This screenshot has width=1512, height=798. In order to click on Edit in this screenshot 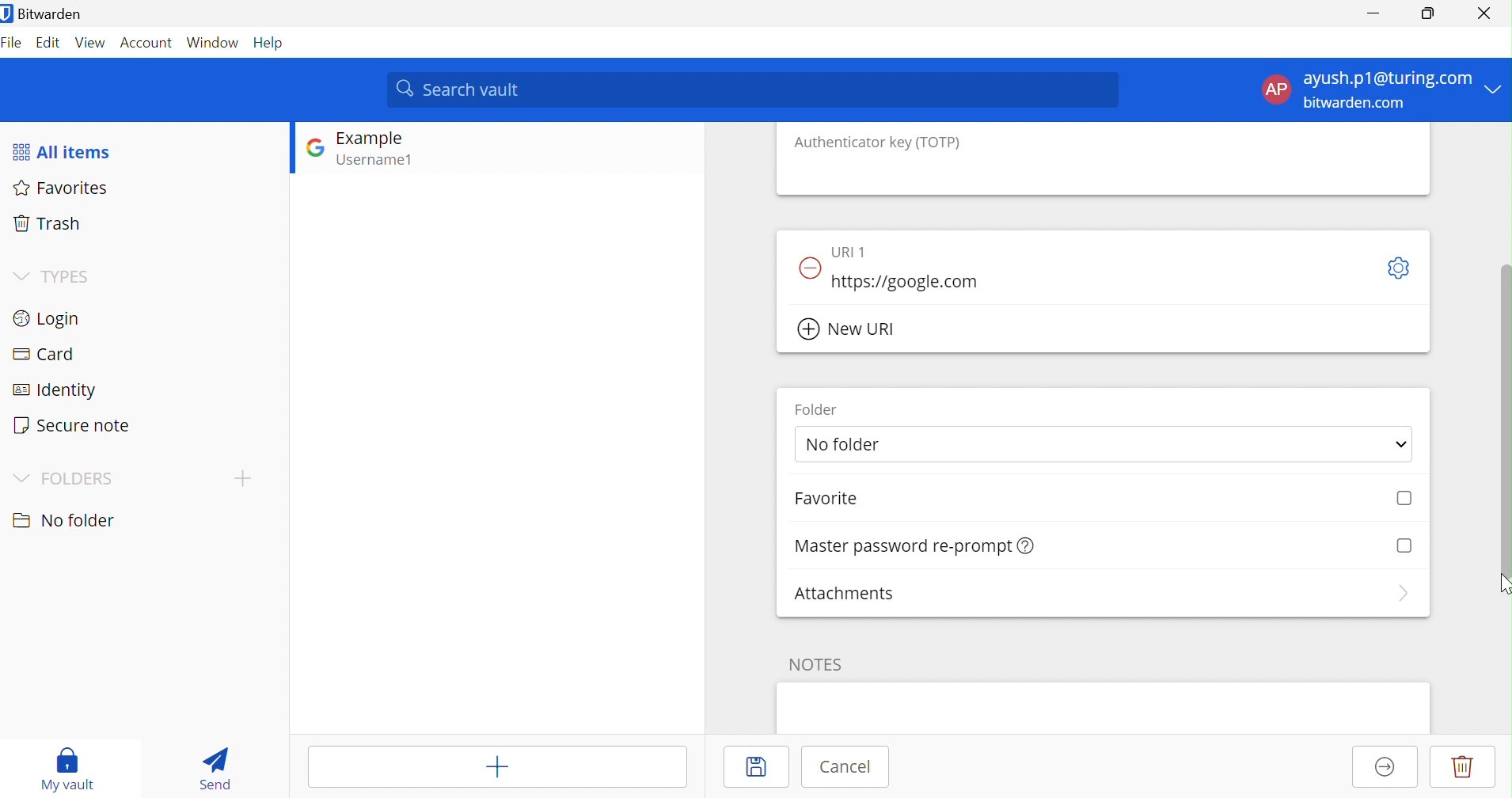, I will do `click(48, 44)`.